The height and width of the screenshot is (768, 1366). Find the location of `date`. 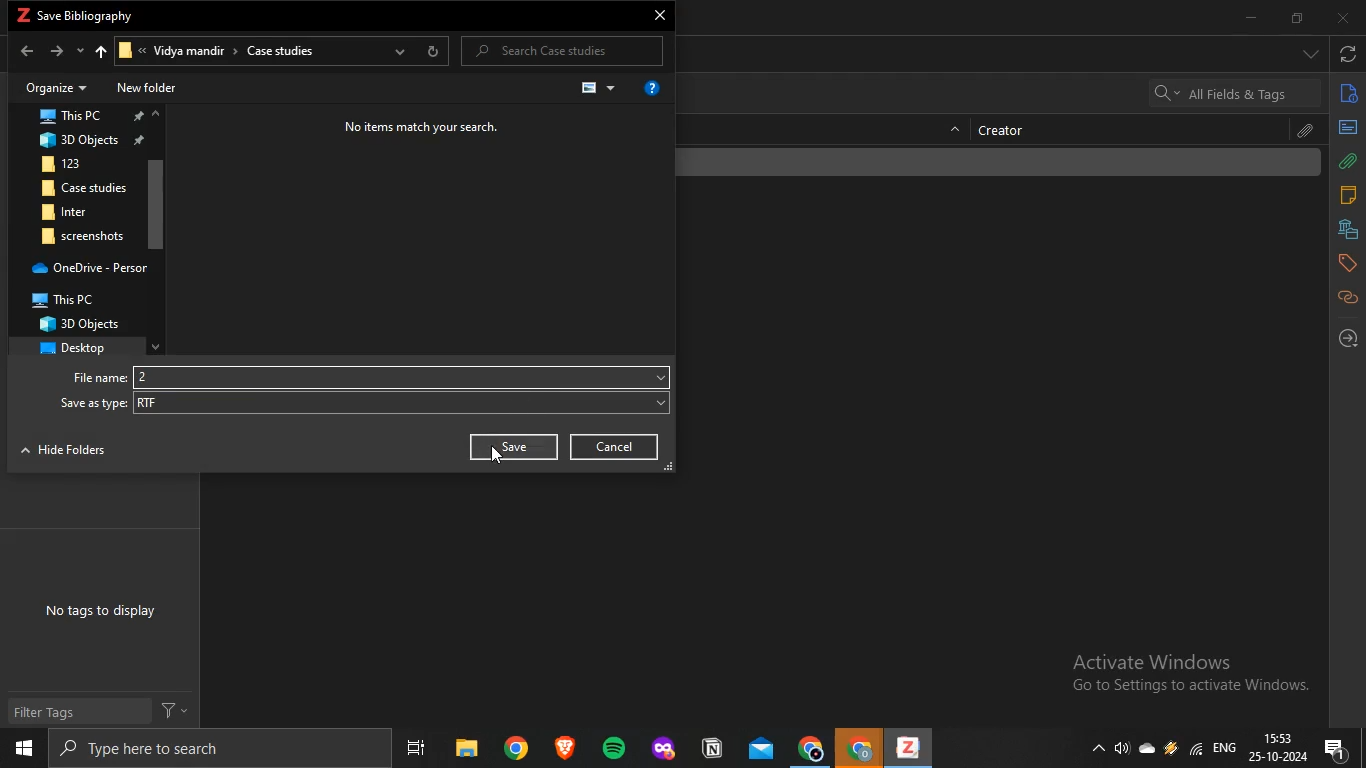

date is located at coordinates (1279, 757).